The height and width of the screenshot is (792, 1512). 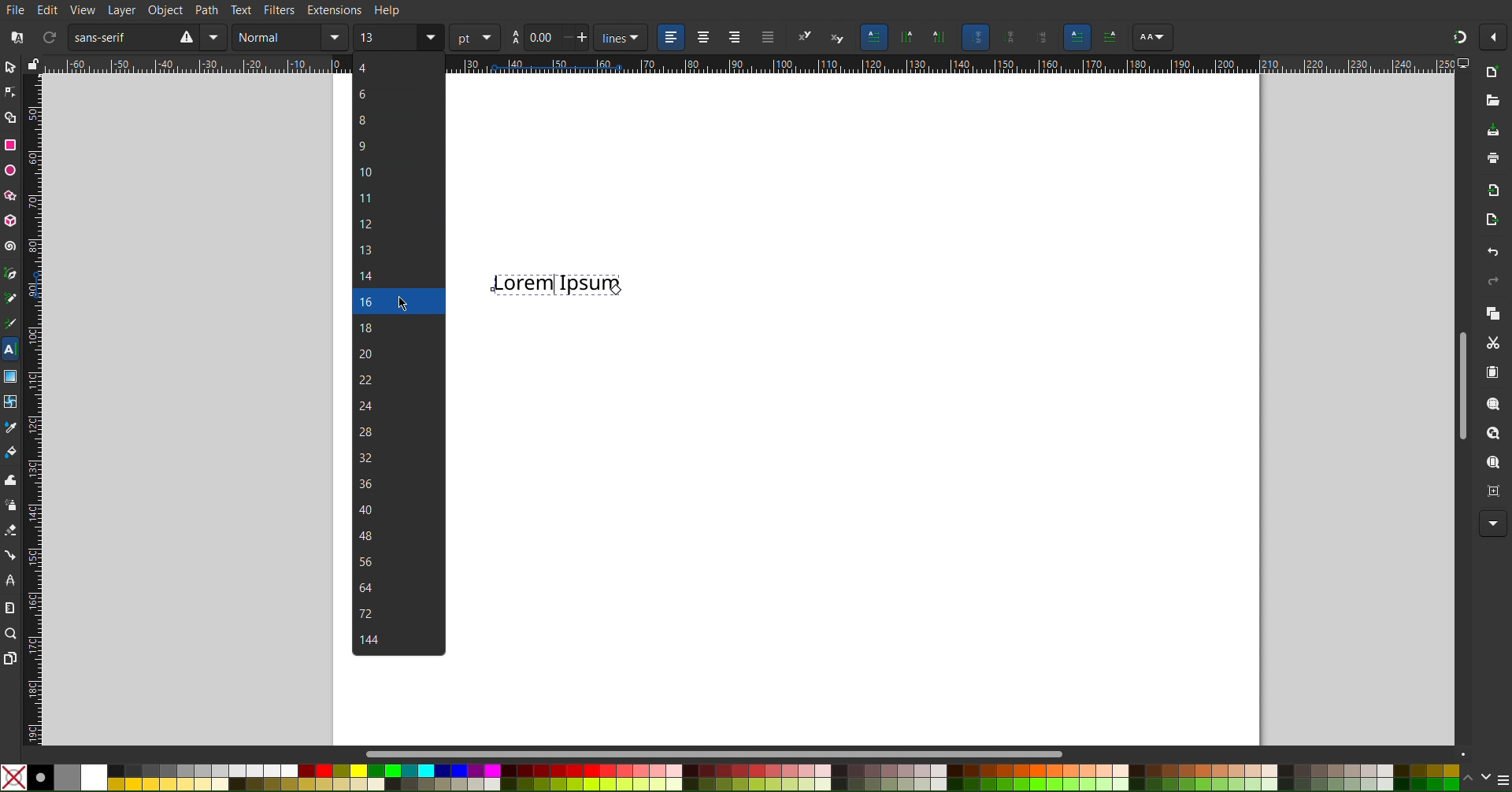 I want to click on Horizontal Ruler, so click(x=195, y=65).